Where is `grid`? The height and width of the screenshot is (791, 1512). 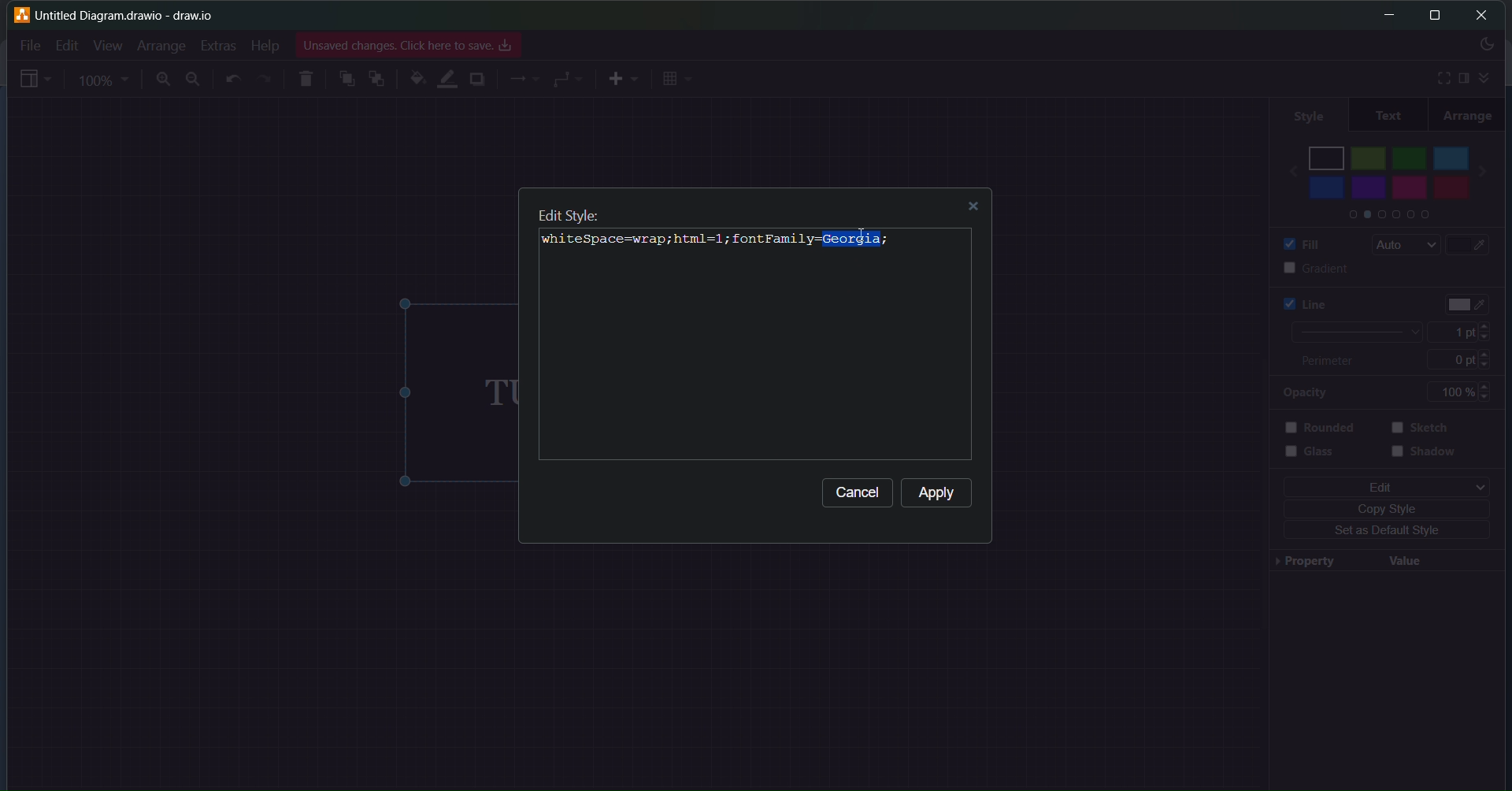 grid is located at coordinates (679, 79).